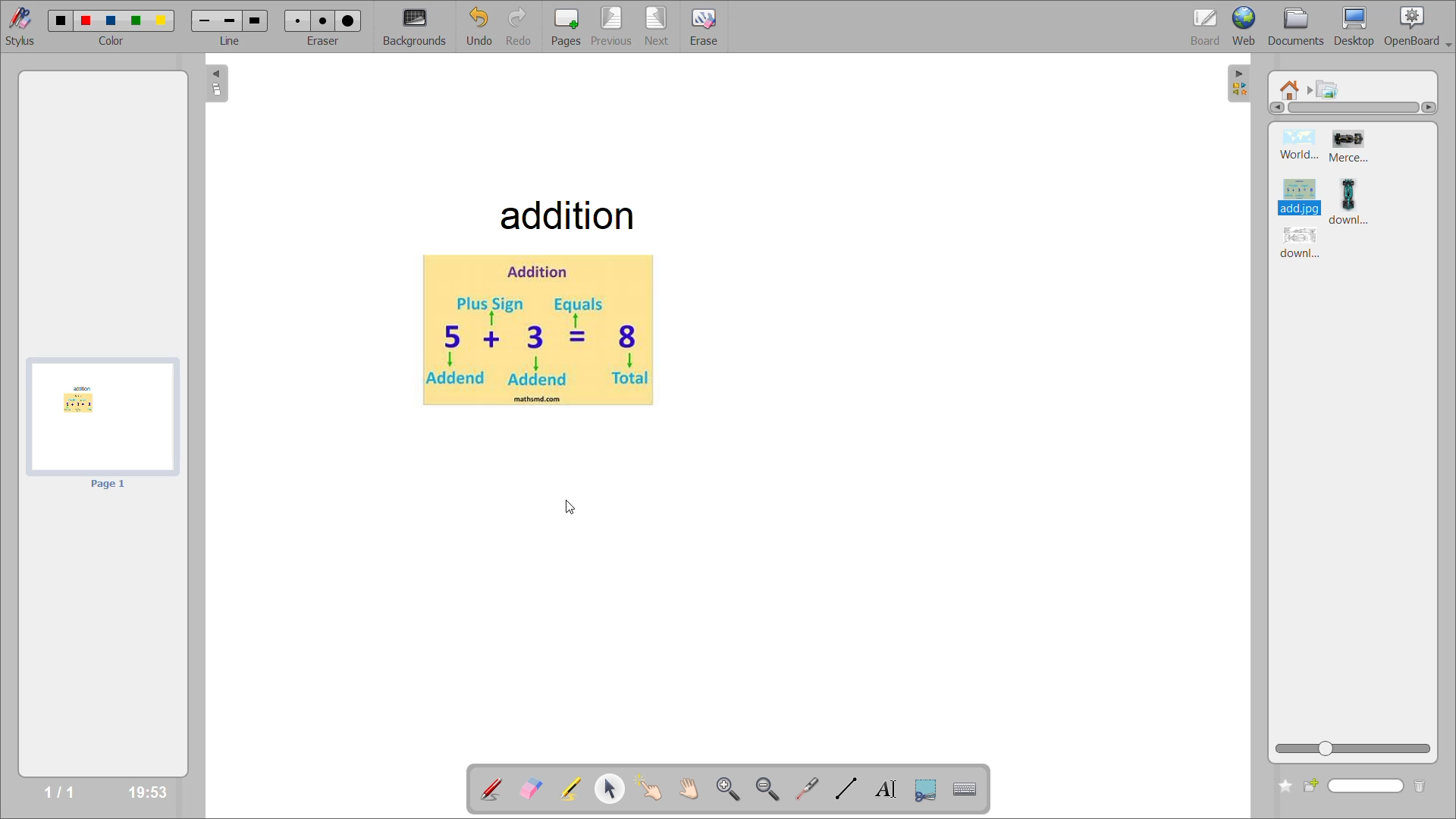 This screenshot has width=1456, height=819. What do you see at coordinates (1296, 193) in the screenshot?
I see `image 3` at bounding box center [1296, 193].